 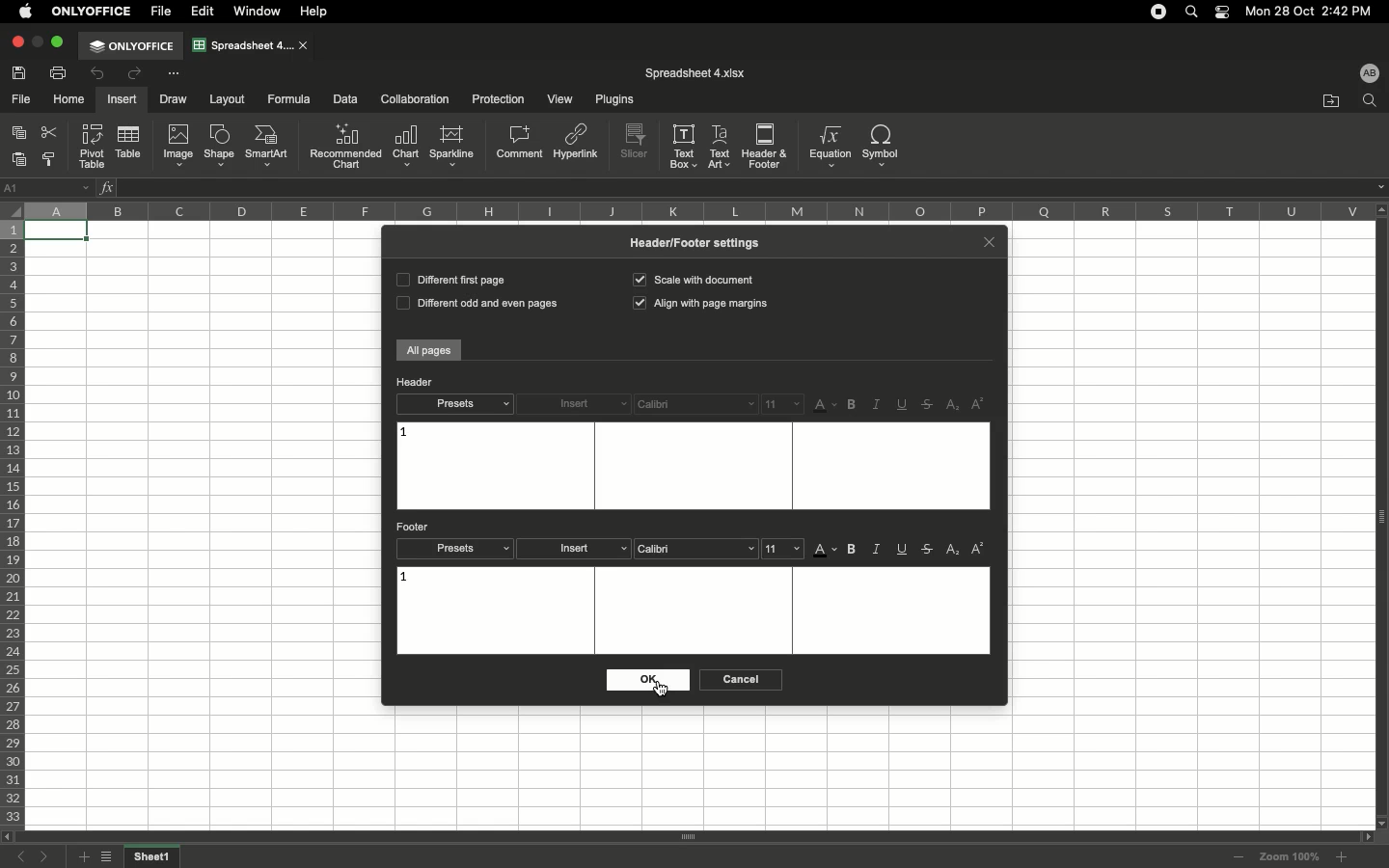 What do you see at coordinates (228, 99) in the screenshot?
I see `Layout` at bounding box center [228, 99].